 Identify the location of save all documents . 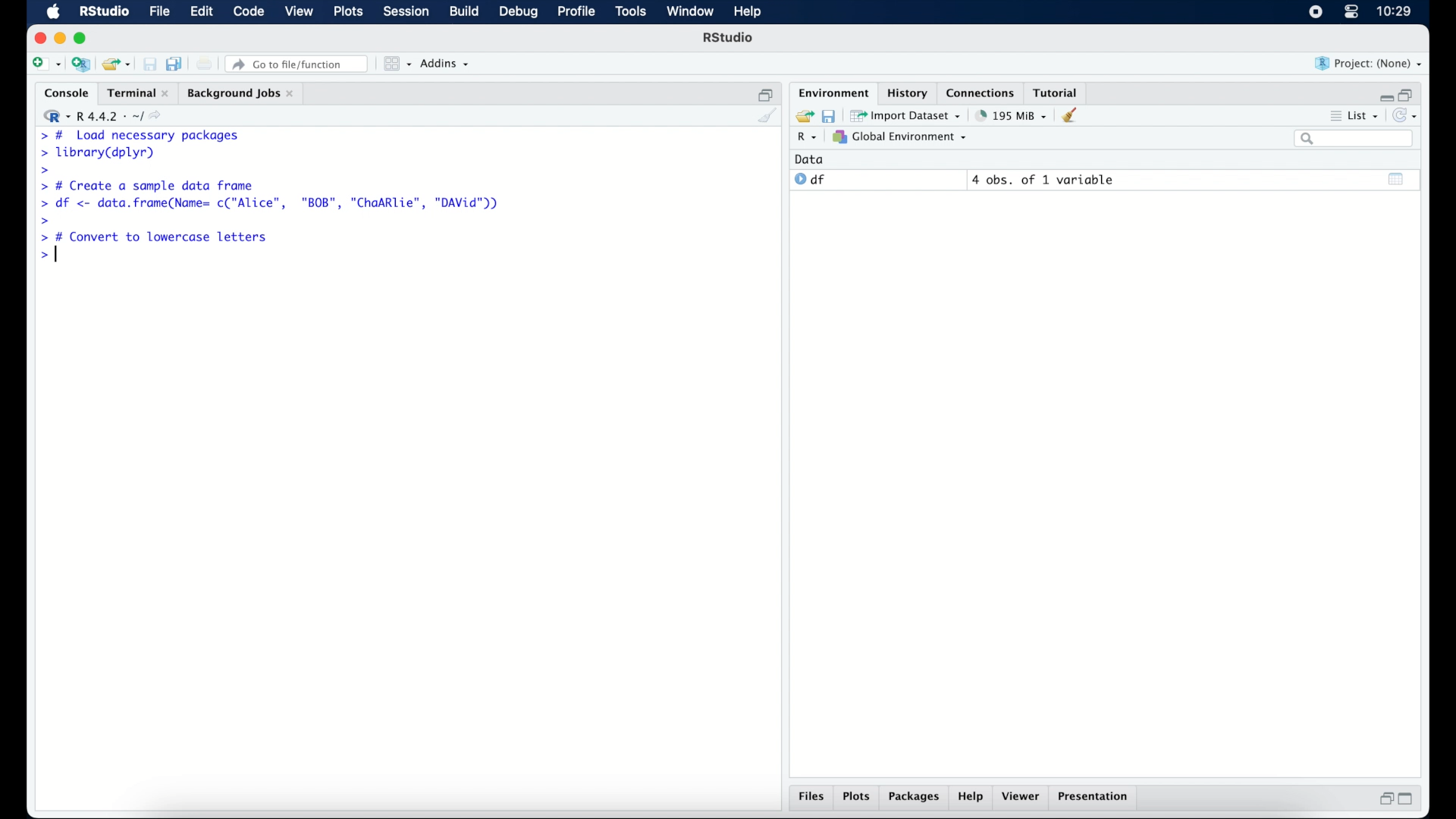
(176, 63).